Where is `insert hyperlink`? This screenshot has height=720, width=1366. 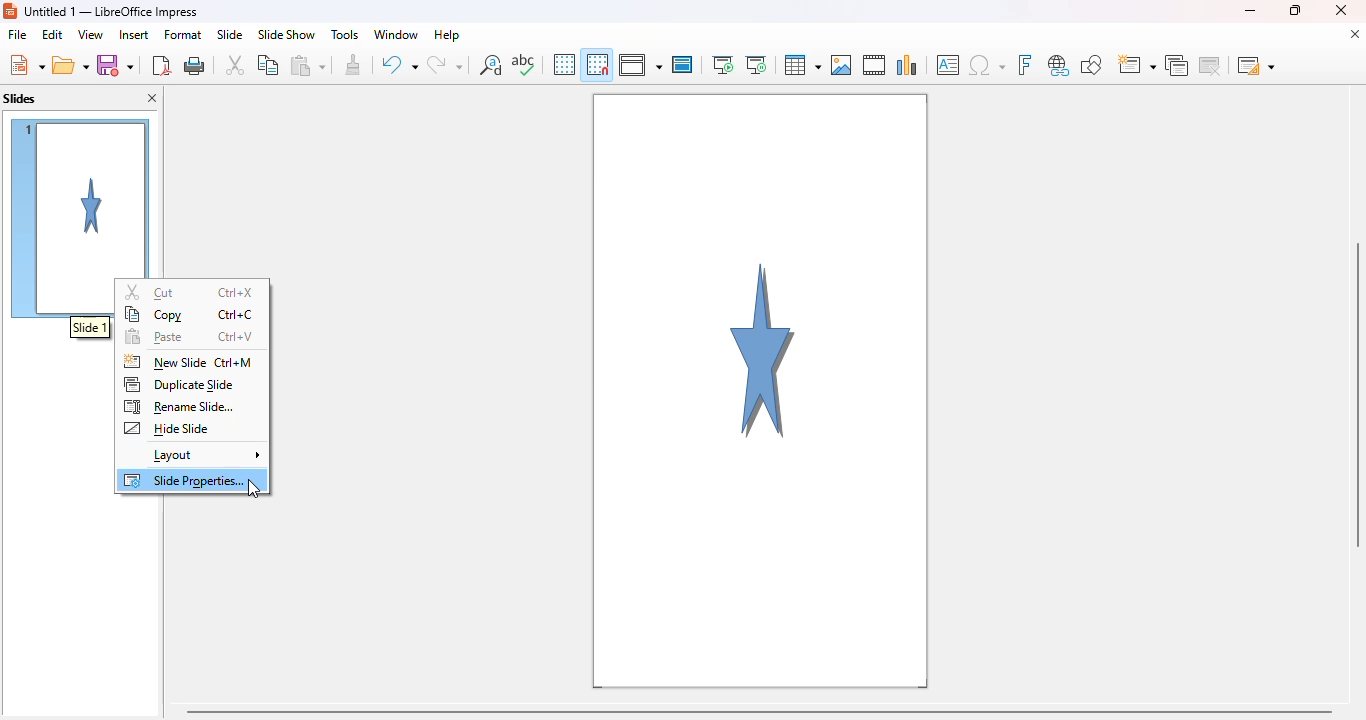
insert hyperlink is located at coordinates (1059, 65).